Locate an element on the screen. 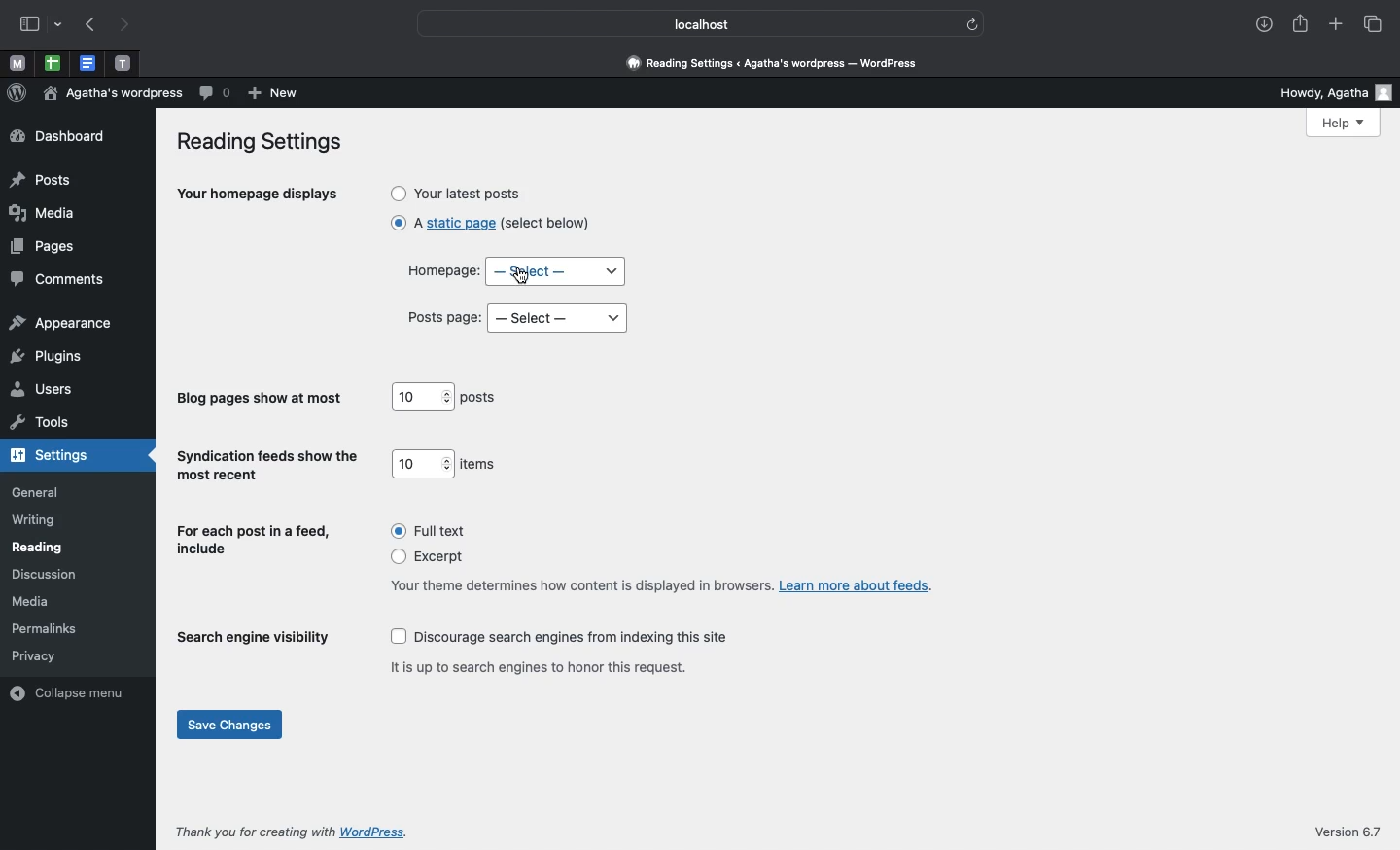 The width and height of the screenshot is (1400, 850). Tabs is located at coordinates (1377, 25).